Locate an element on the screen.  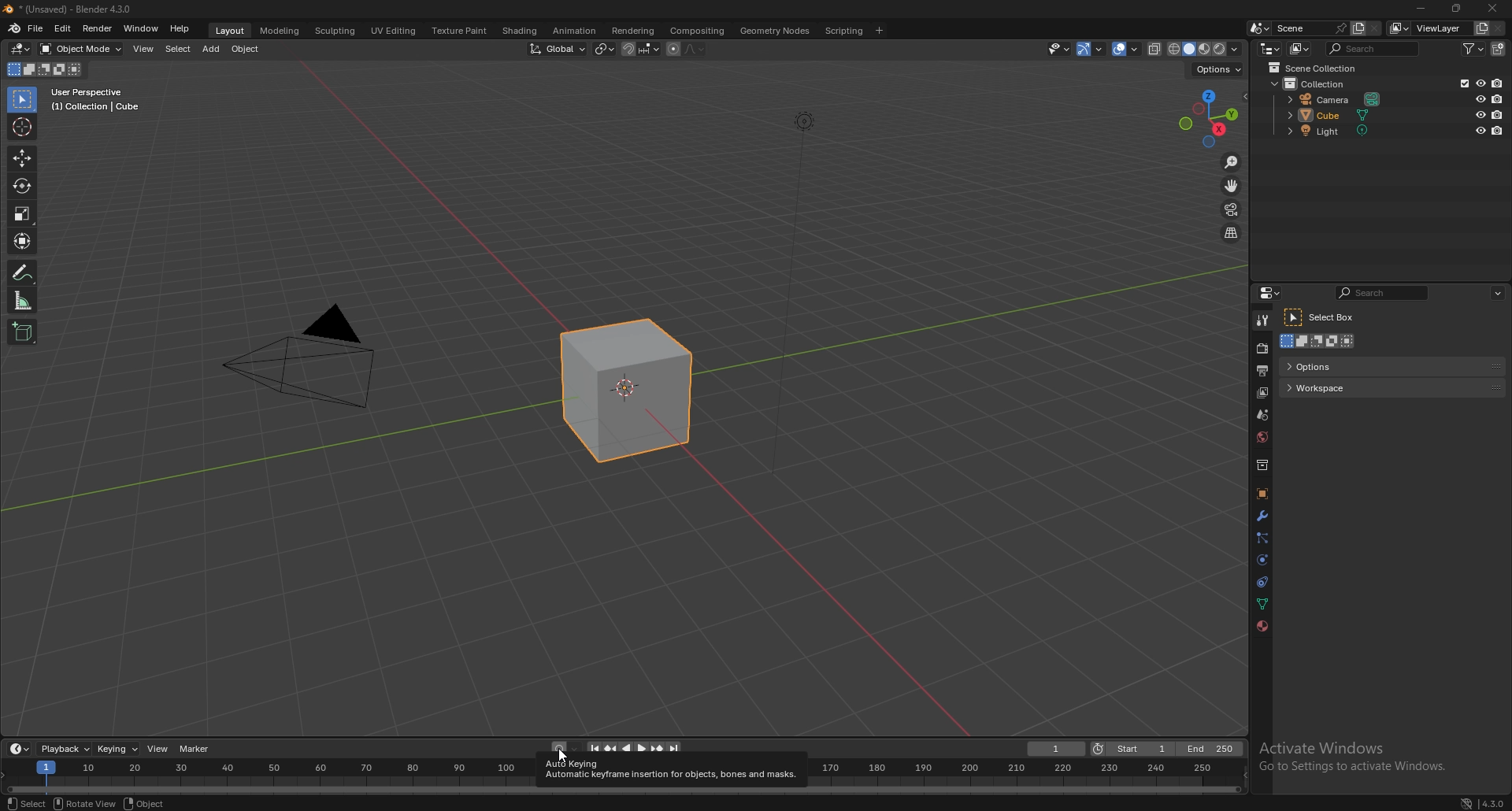
editor type is located at coordinates (1269, 49).